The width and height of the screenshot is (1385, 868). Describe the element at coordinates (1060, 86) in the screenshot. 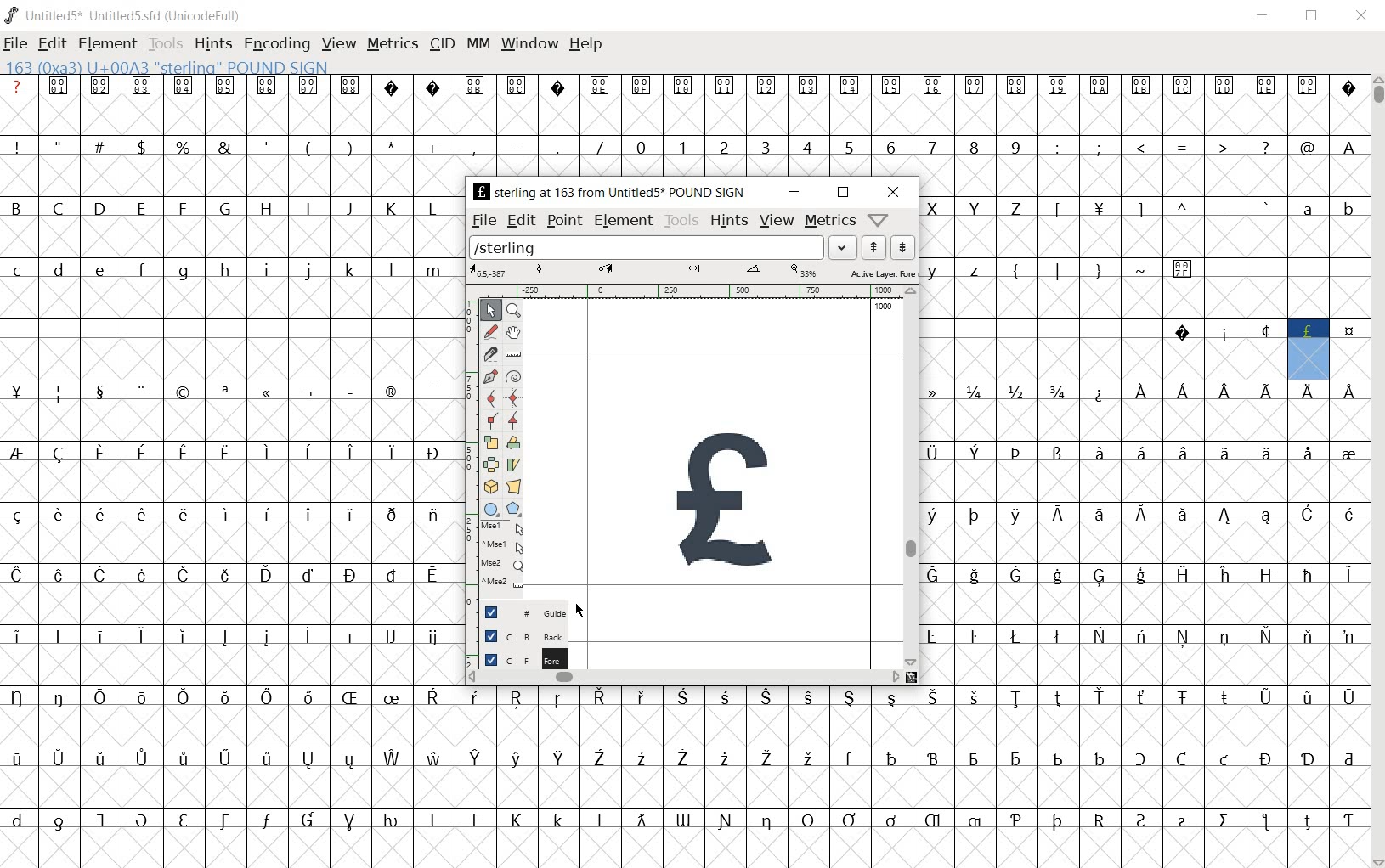

I see `Symbol` at that location.